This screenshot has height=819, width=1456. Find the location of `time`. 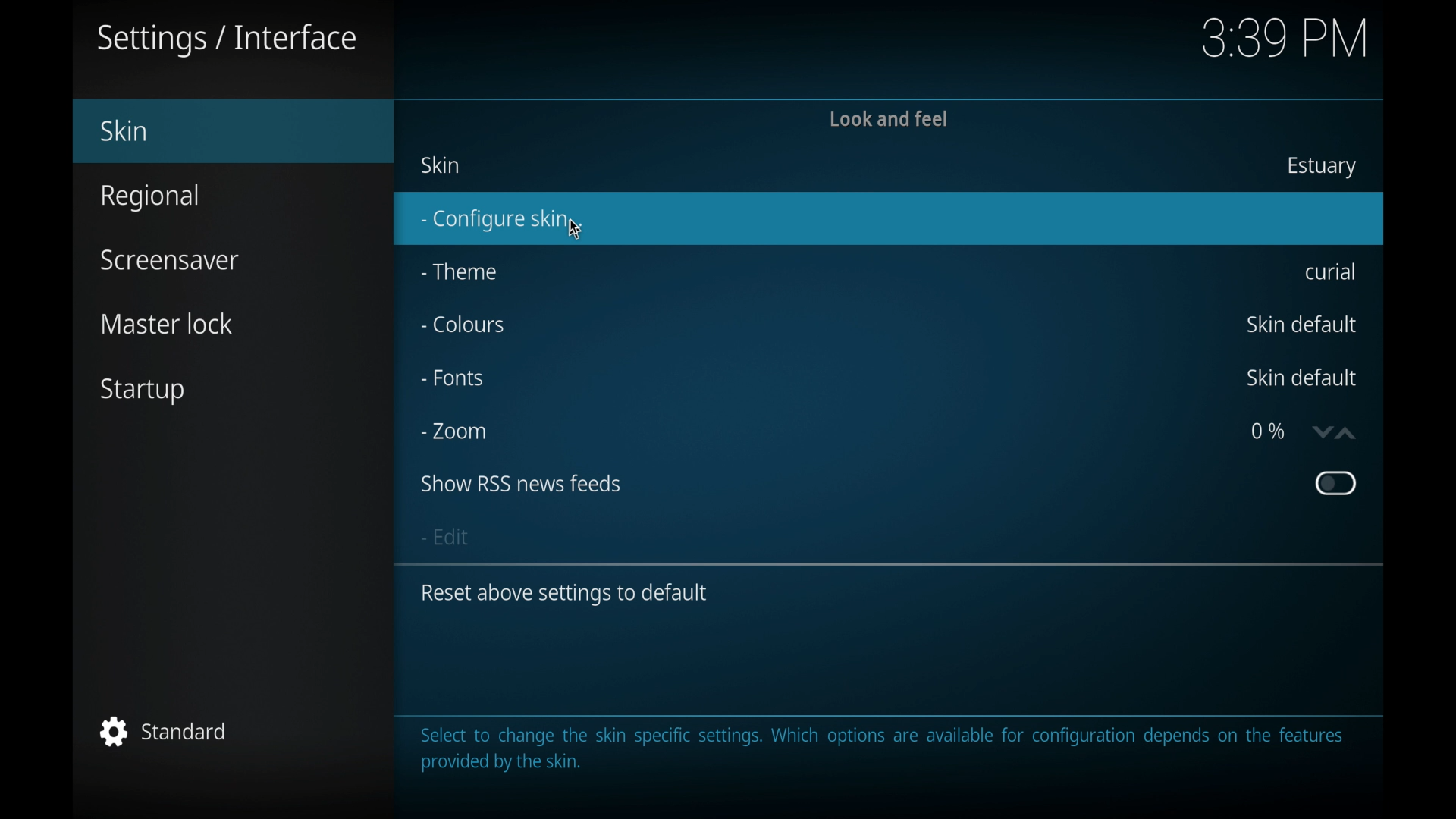

time is located at coordinates (1284, 39).